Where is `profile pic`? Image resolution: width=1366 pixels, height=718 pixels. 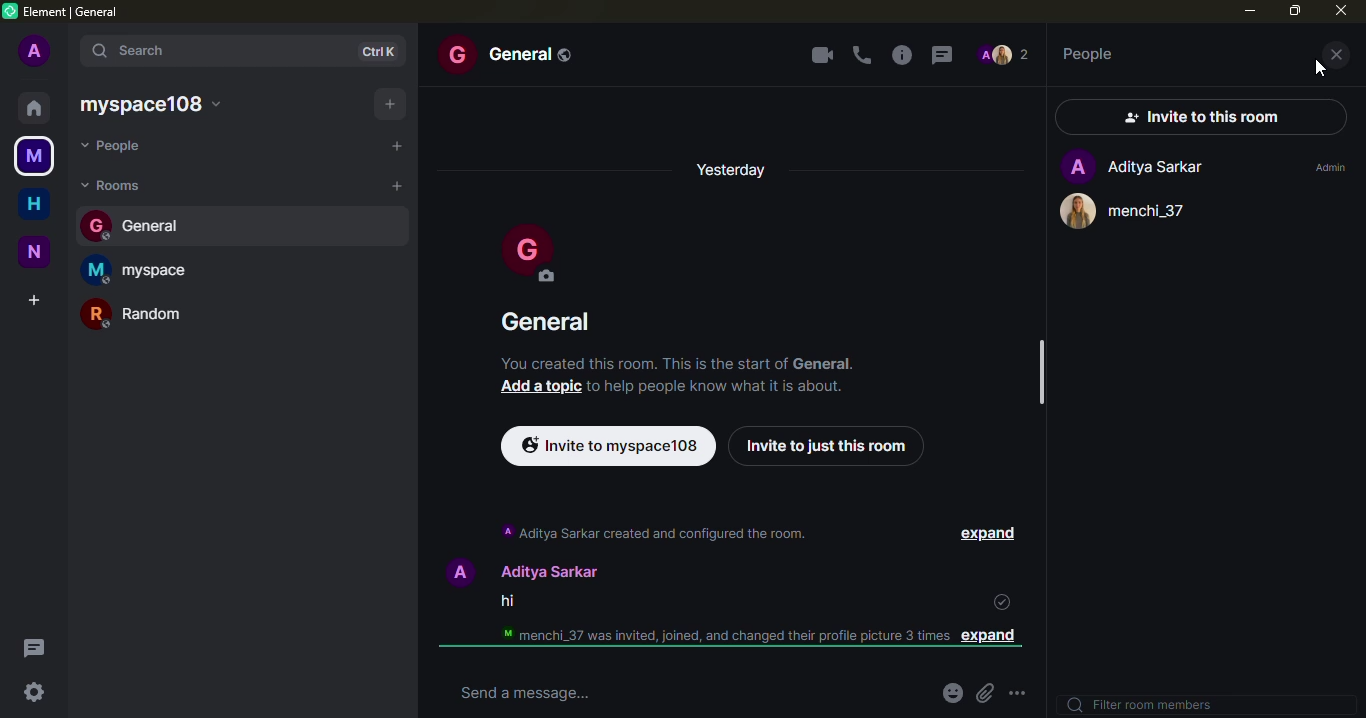 profile pic is located at coordinates (525, 254).